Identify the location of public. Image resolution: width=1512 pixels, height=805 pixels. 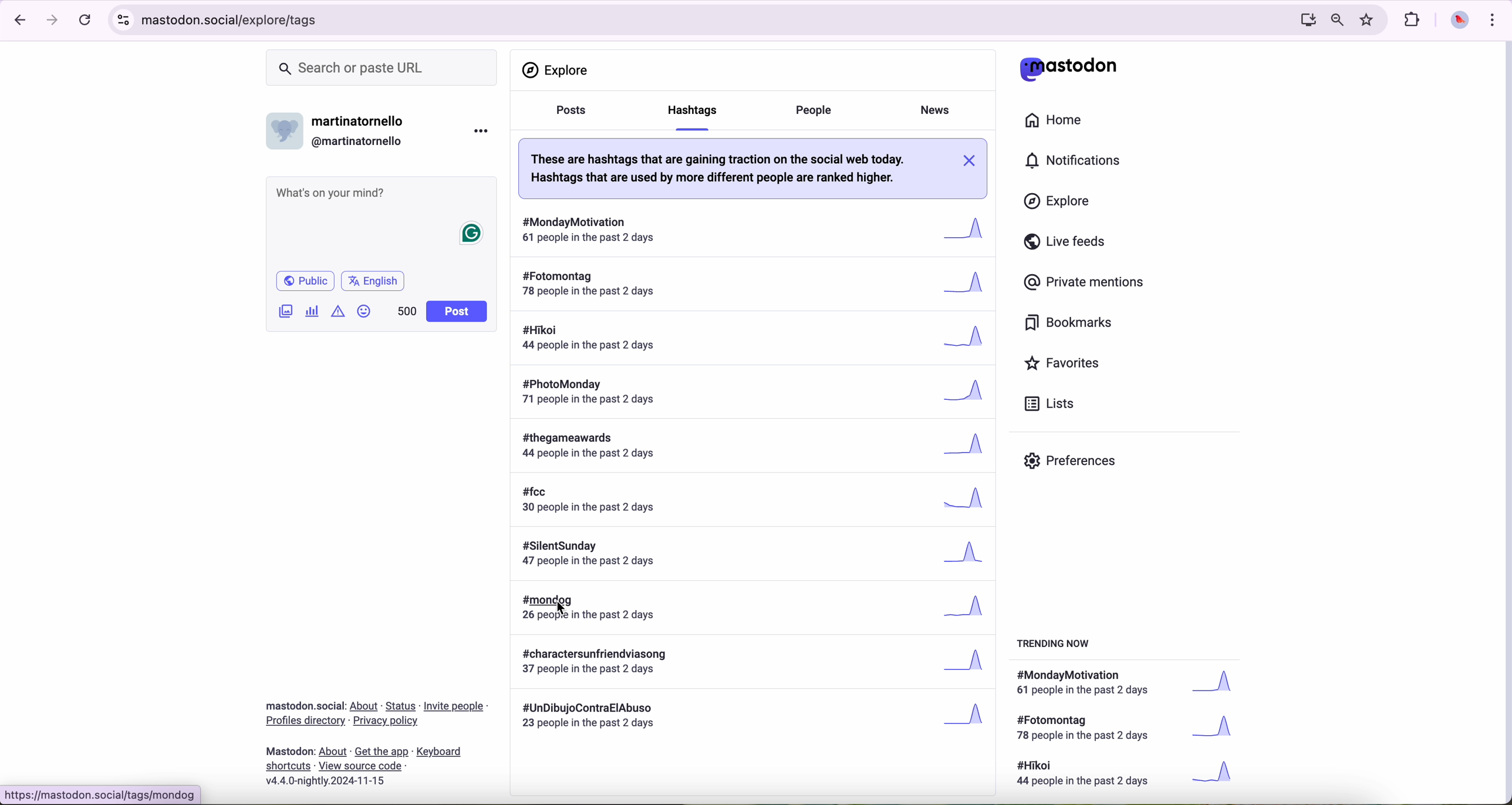
(307, 281).